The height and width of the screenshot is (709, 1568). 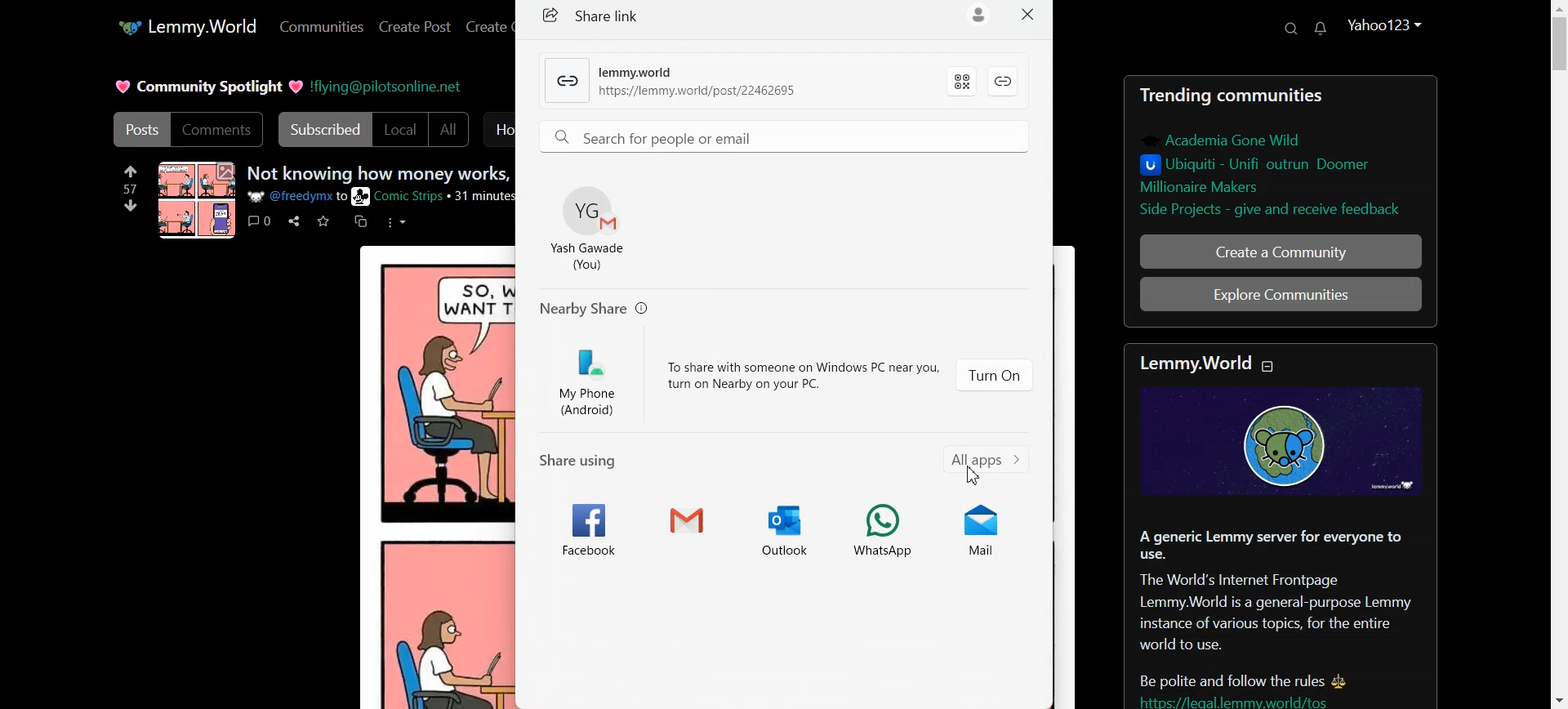 I want to click on Local, so click(x=400, y=129).